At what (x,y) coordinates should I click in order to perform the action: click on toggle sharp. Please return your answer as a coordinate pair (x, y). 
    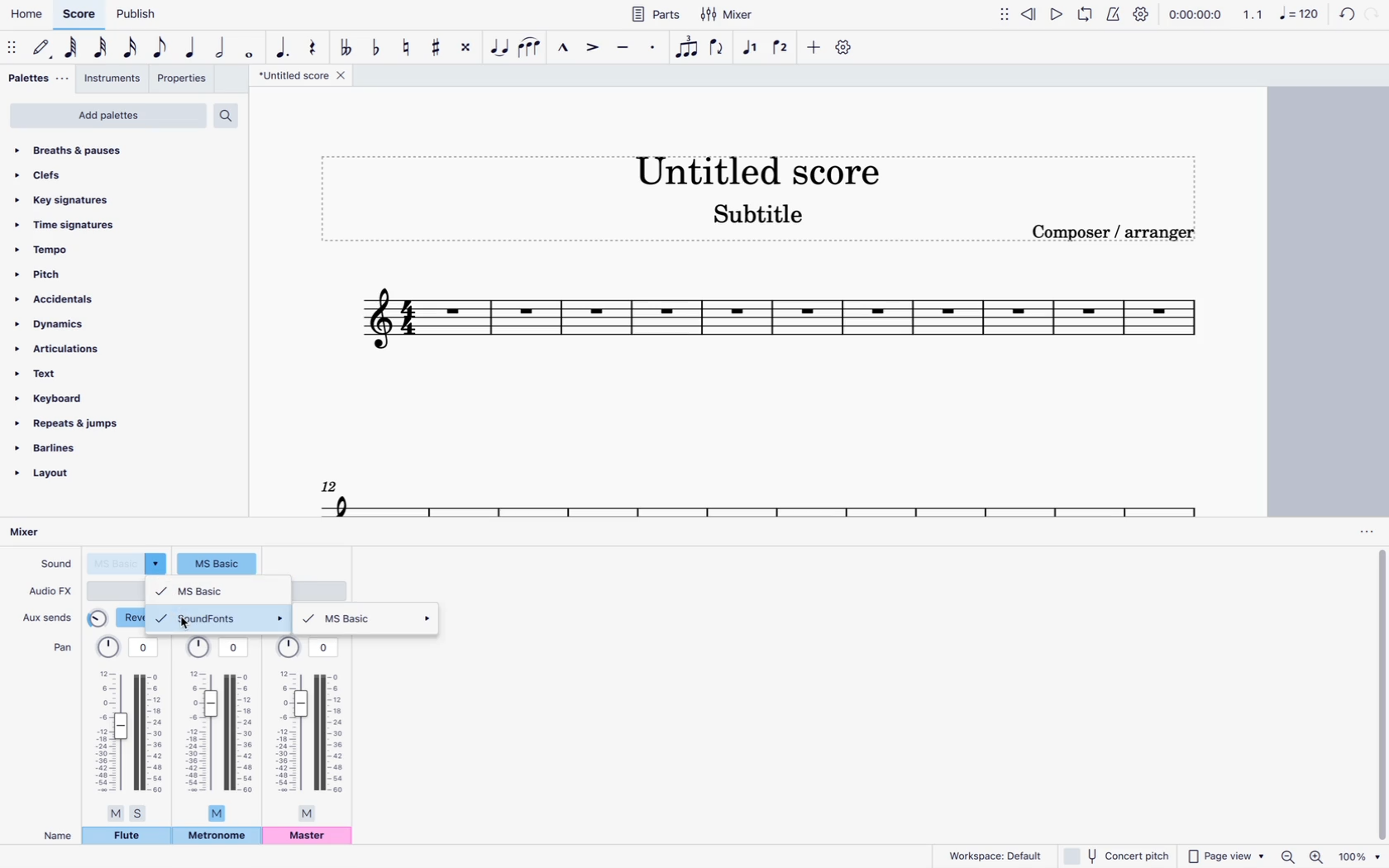
    Looking at the image, I should click on (439, 45).